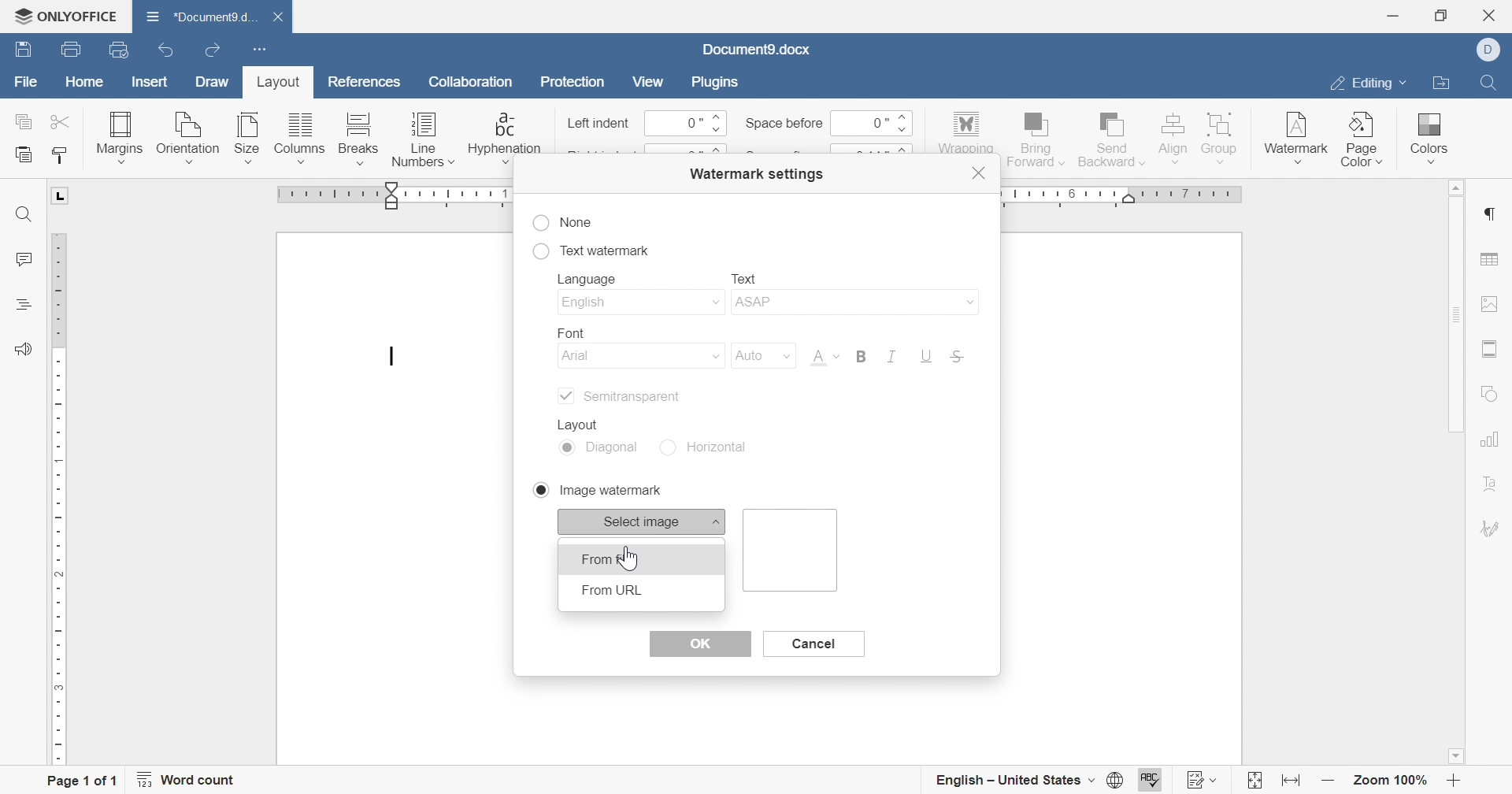  What do you see at coordinates (1487, 80) in the screenshot?
I see `find` at bounding box center [1487, 80].